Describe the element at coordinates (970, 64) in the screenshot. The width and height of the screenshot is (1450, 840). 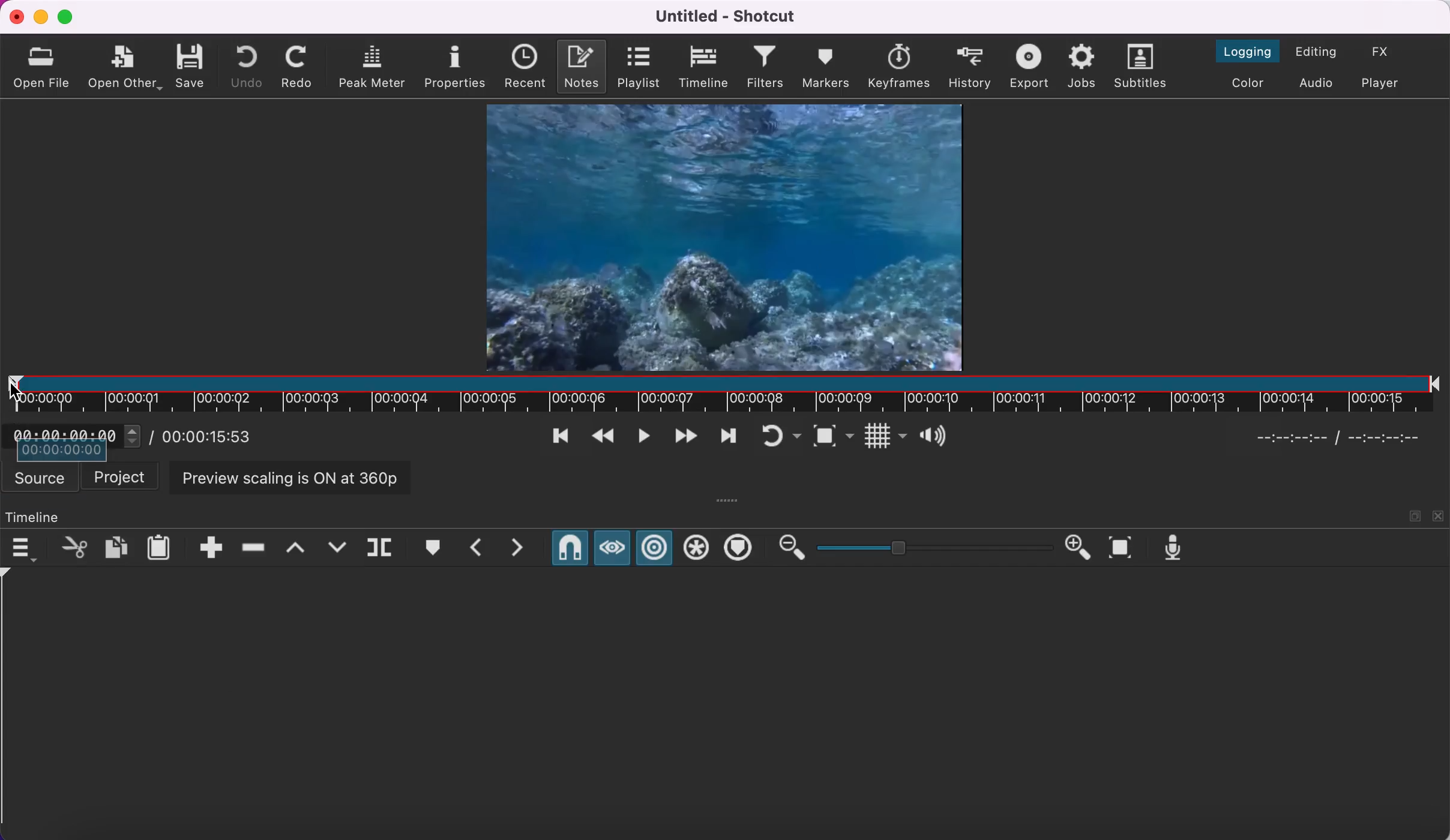
I see `history` at that location.